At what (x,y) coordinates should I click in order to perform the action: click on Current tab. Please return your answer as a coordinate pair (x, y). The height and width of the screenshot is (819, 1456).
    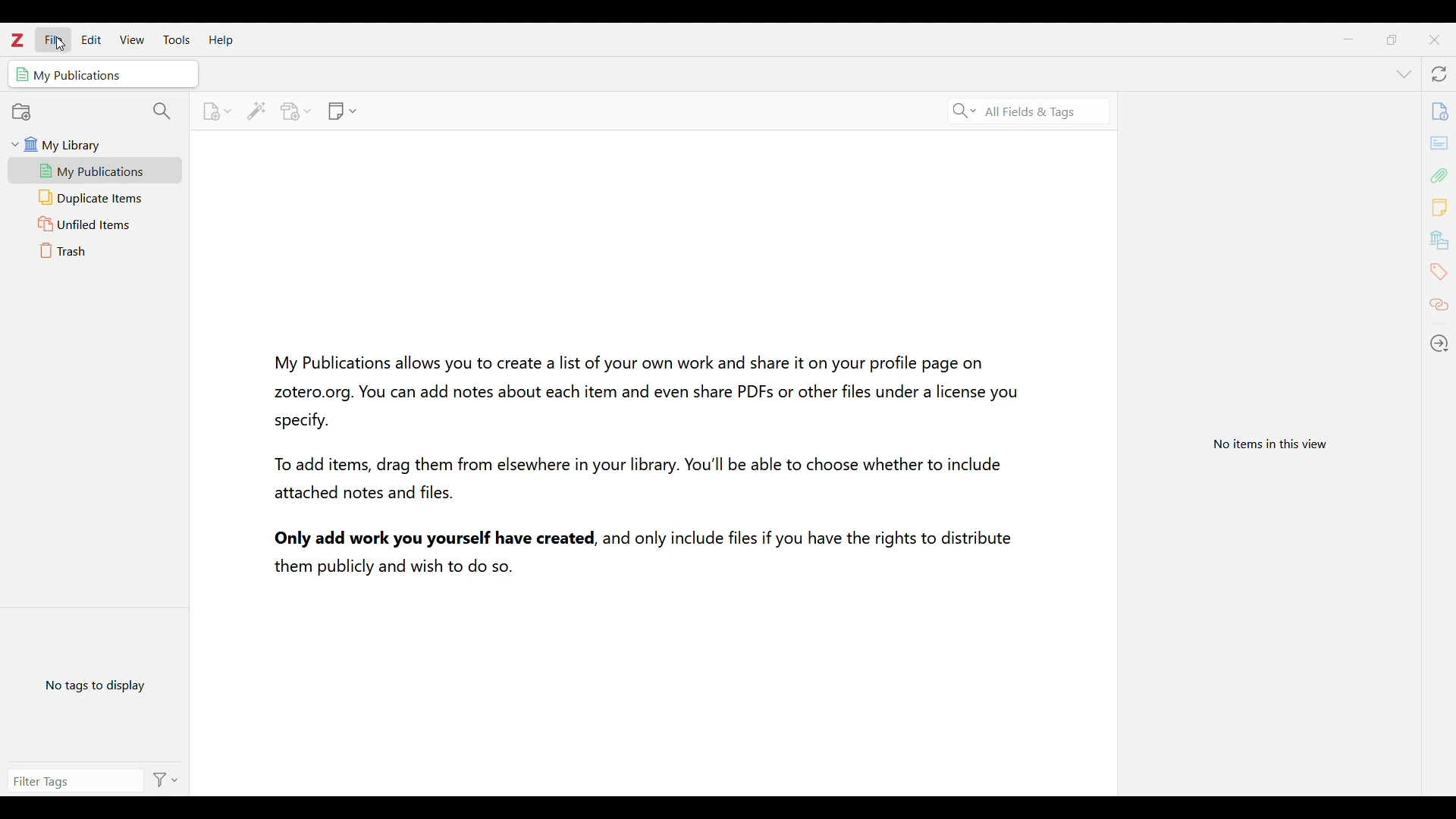
    Looking at the image, I should click on (103, 74).